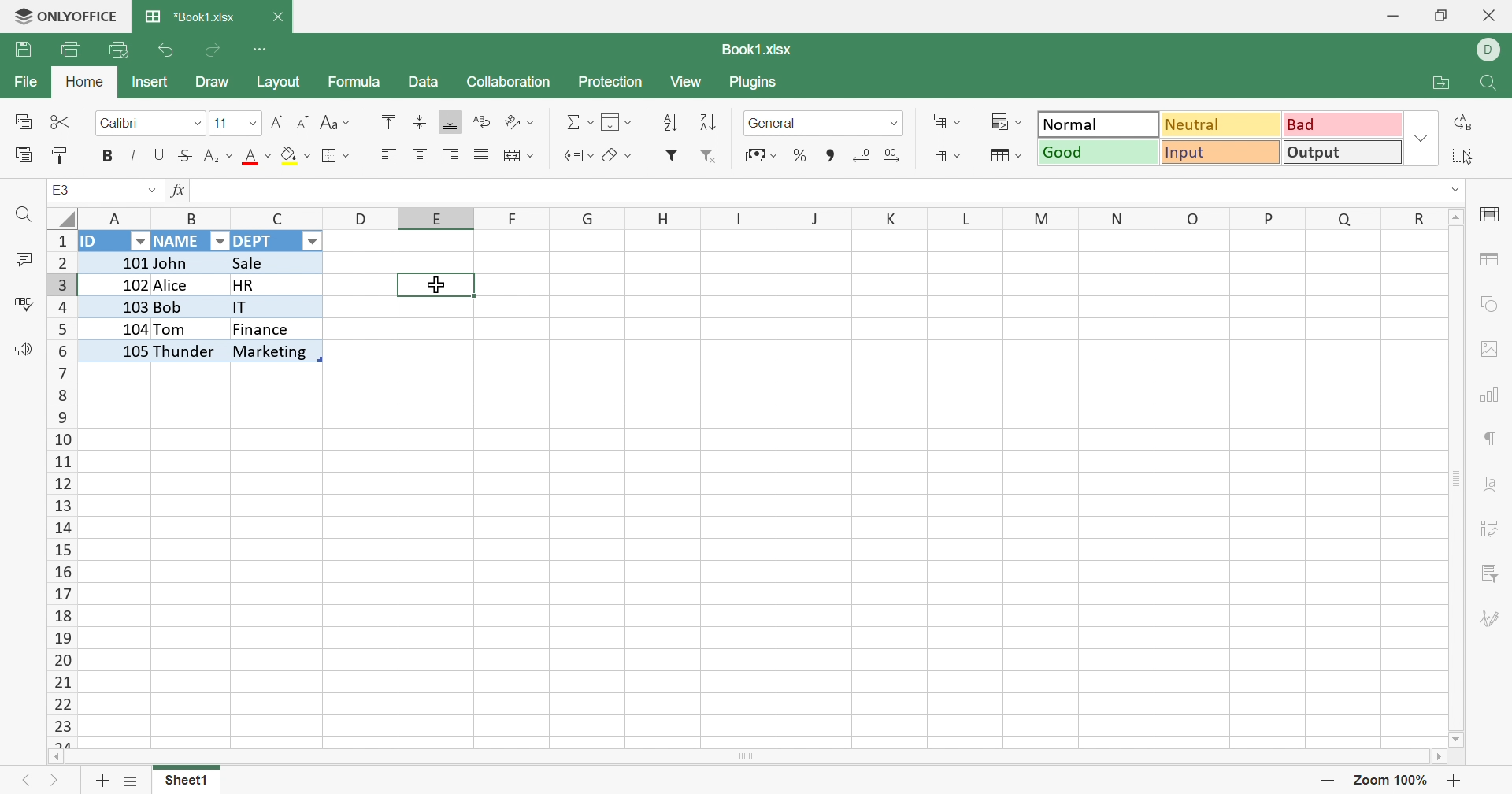 The image size is (1512, 794). What do you see at coordinates (22, 259) in the screenshot?
I see `Comments` at bounding box center [22, 259].